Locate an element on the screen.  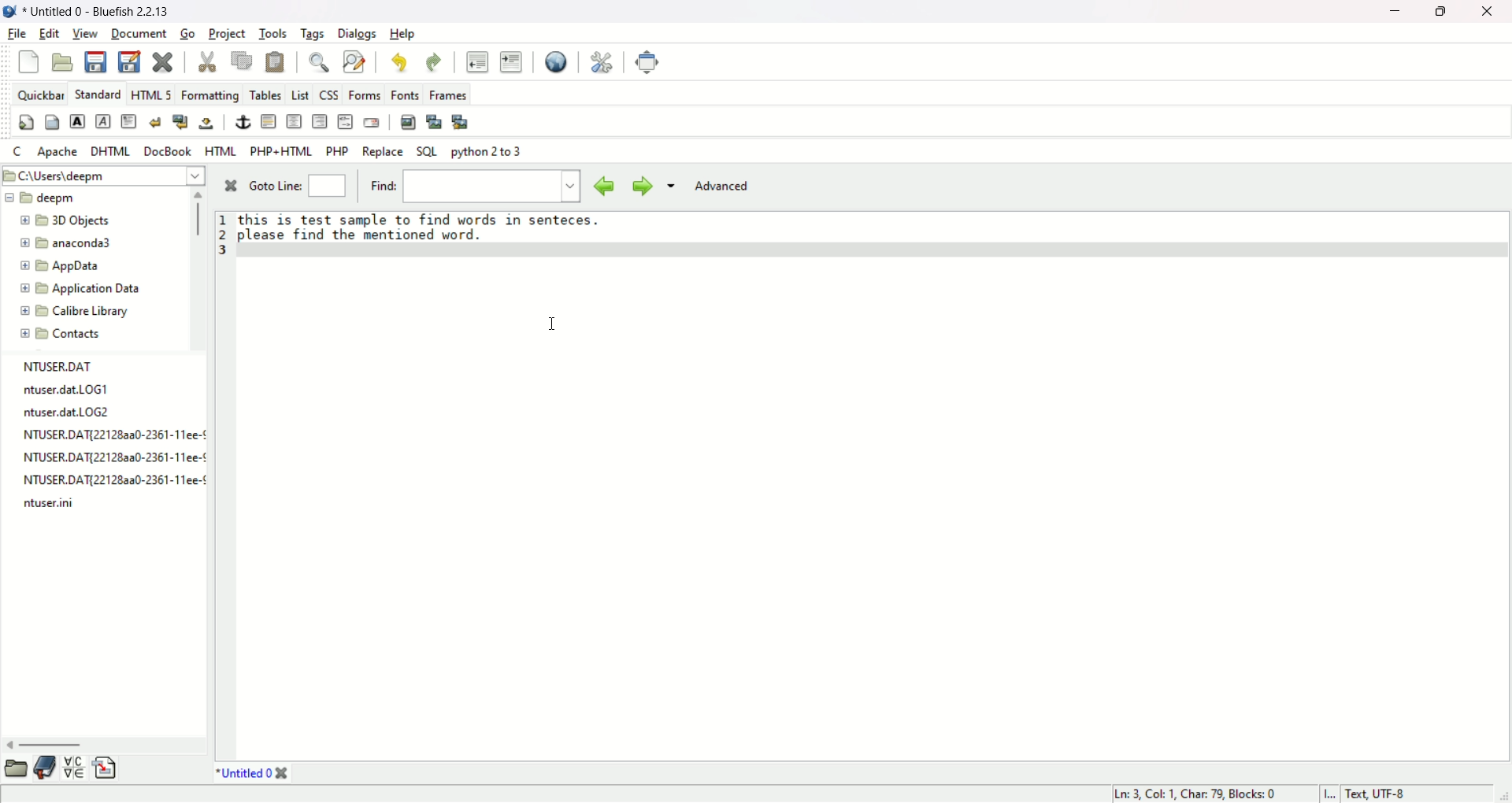
application data is located at coordinates (79, 289).